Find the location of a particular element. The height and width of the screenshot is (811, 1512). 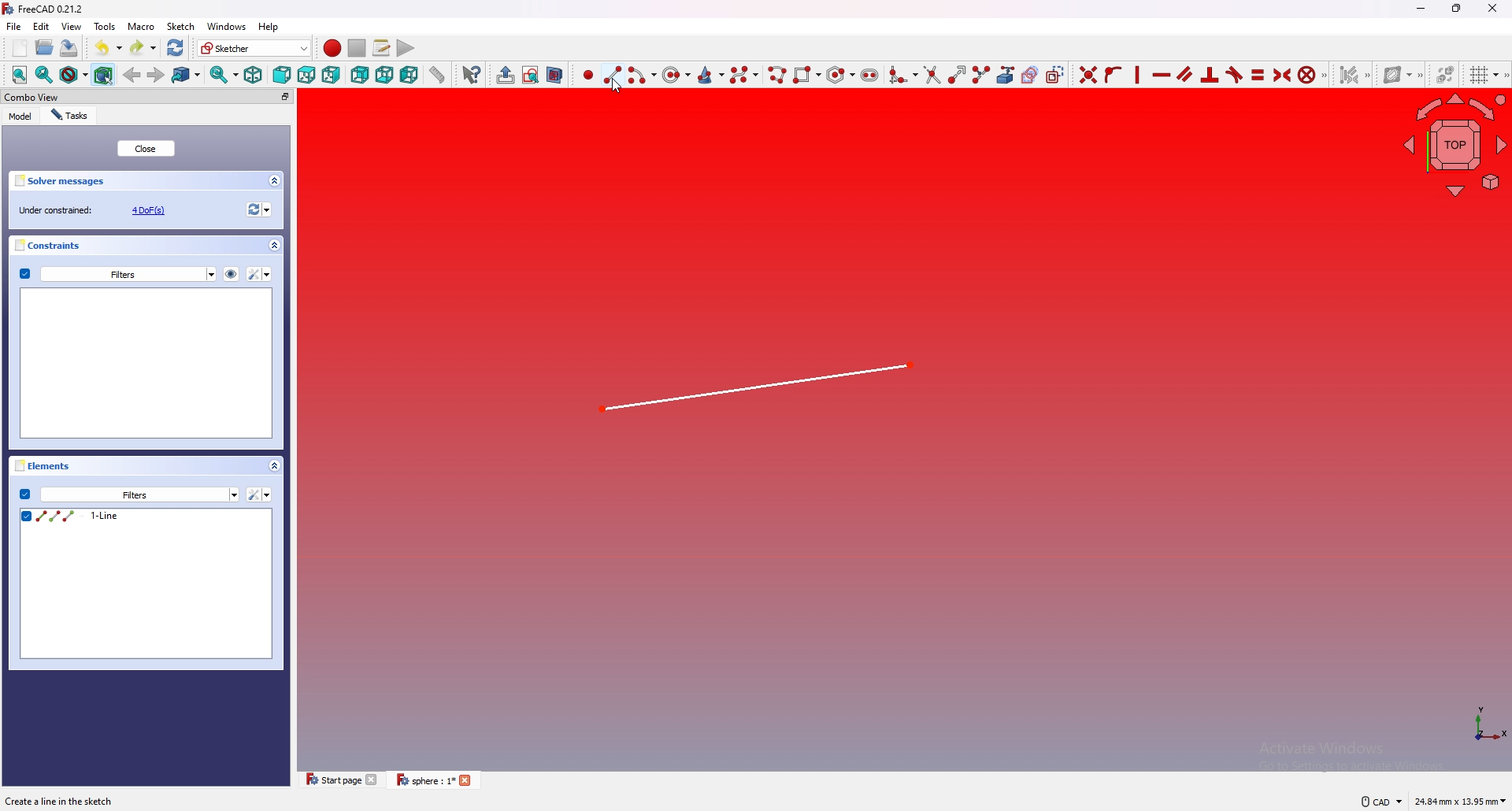

Fit selection is located at coordinates (43, 76).